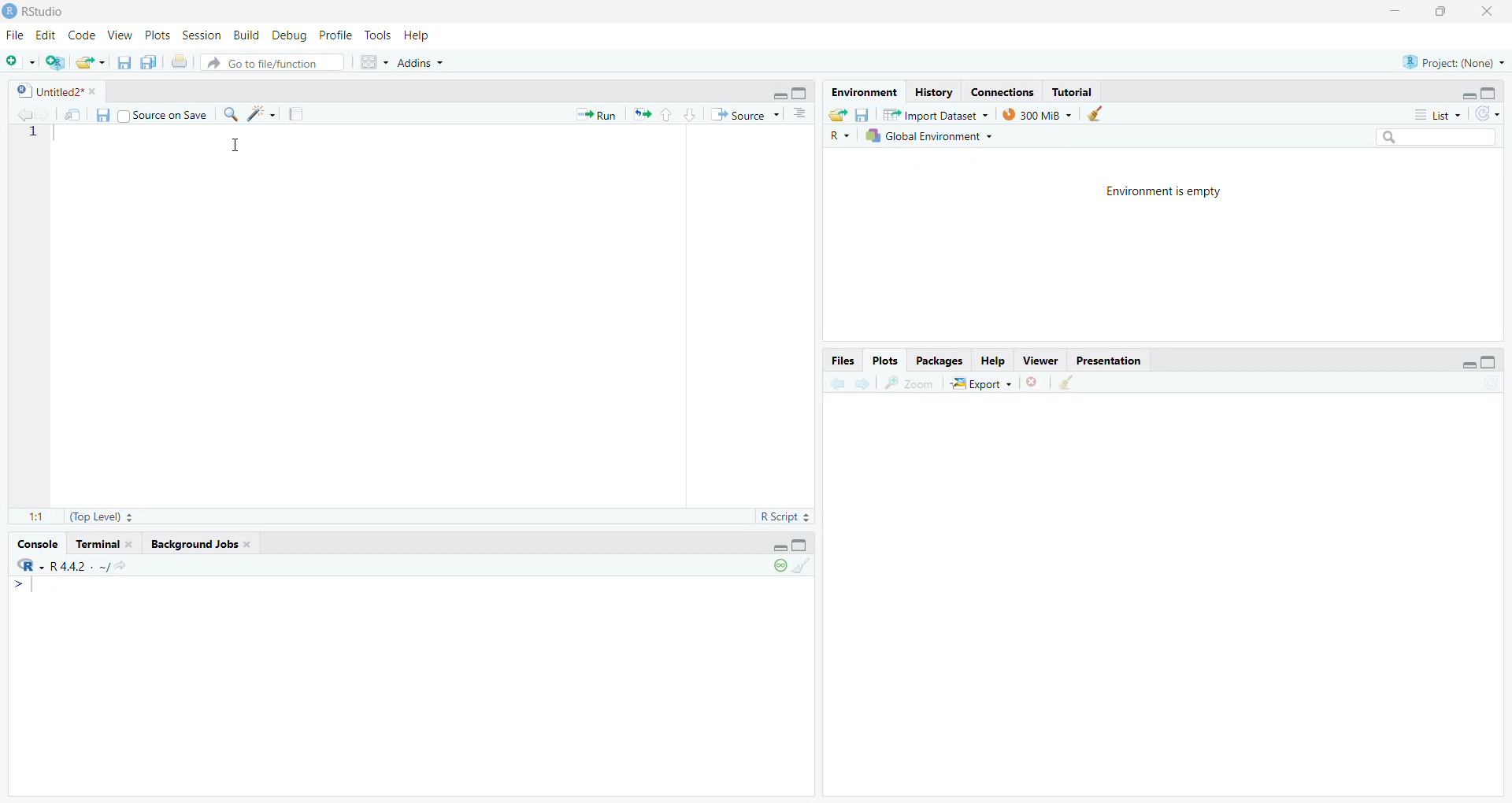 Image resolution: width=1512 pixels, height=803 pixels. What do you see at coordinates (228, 115) in the screenshot?
I see `find/replace` at bounding box center [228, 115].